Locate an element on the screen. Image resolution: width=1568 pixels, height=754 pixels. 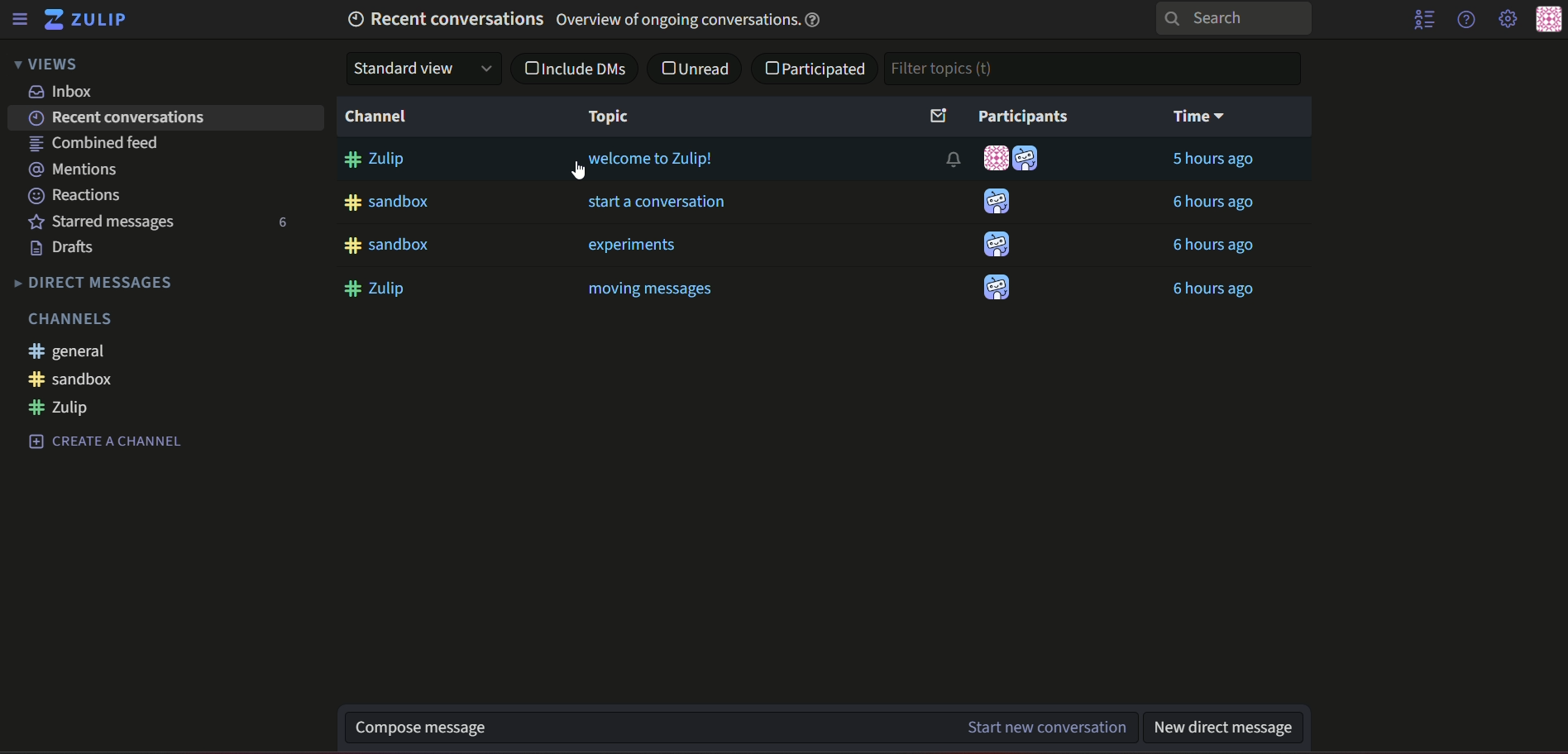
Filter topics is located at coordinates (1096, 69).